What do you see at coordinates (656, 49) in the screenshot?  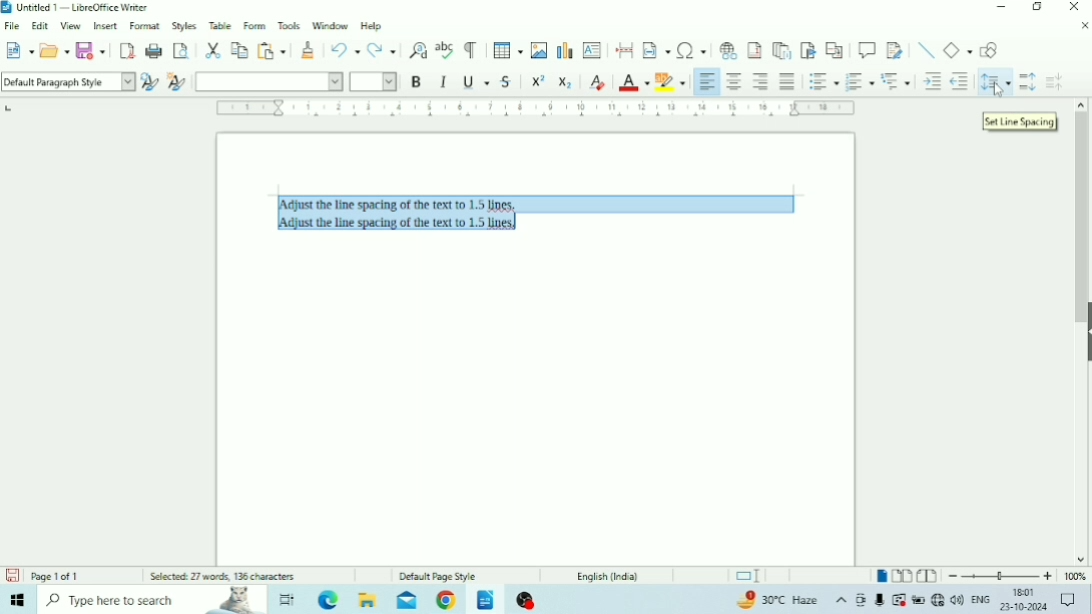 I see `Insert Field` at bounding box center [656, 49].